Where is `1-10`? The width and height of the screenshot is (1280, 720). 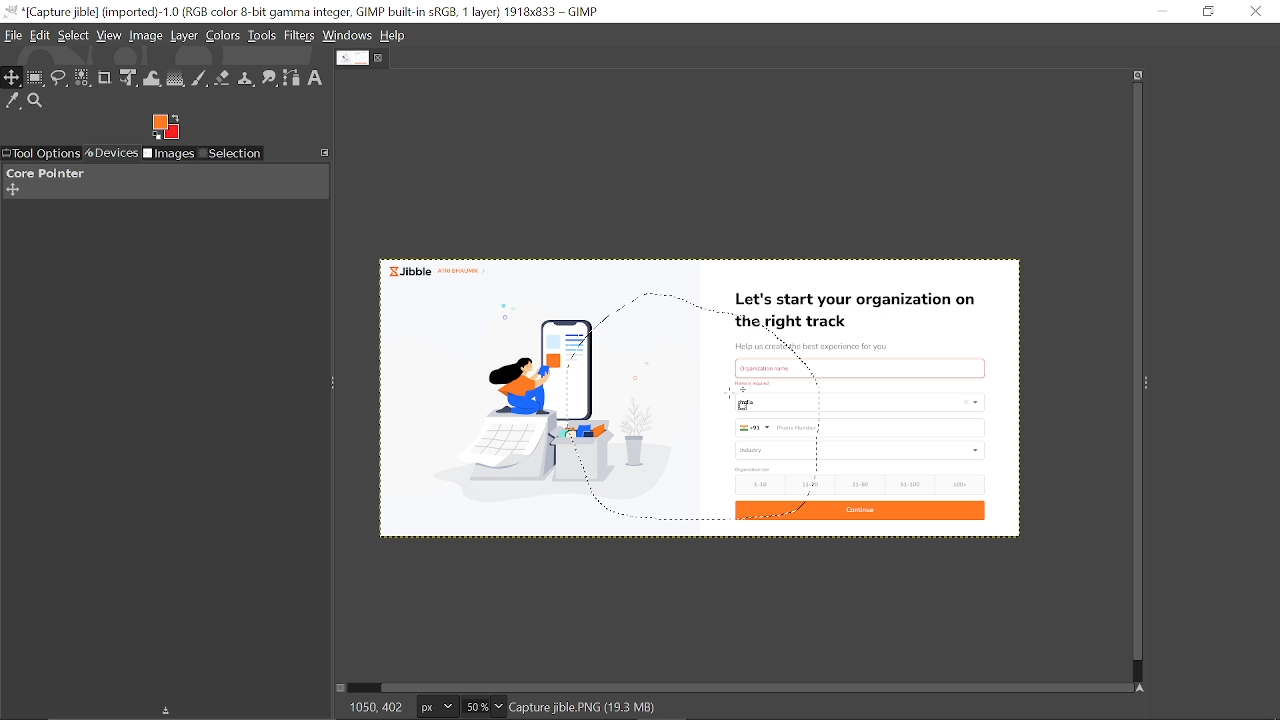 1-10 is located at coordinates (754, 484).